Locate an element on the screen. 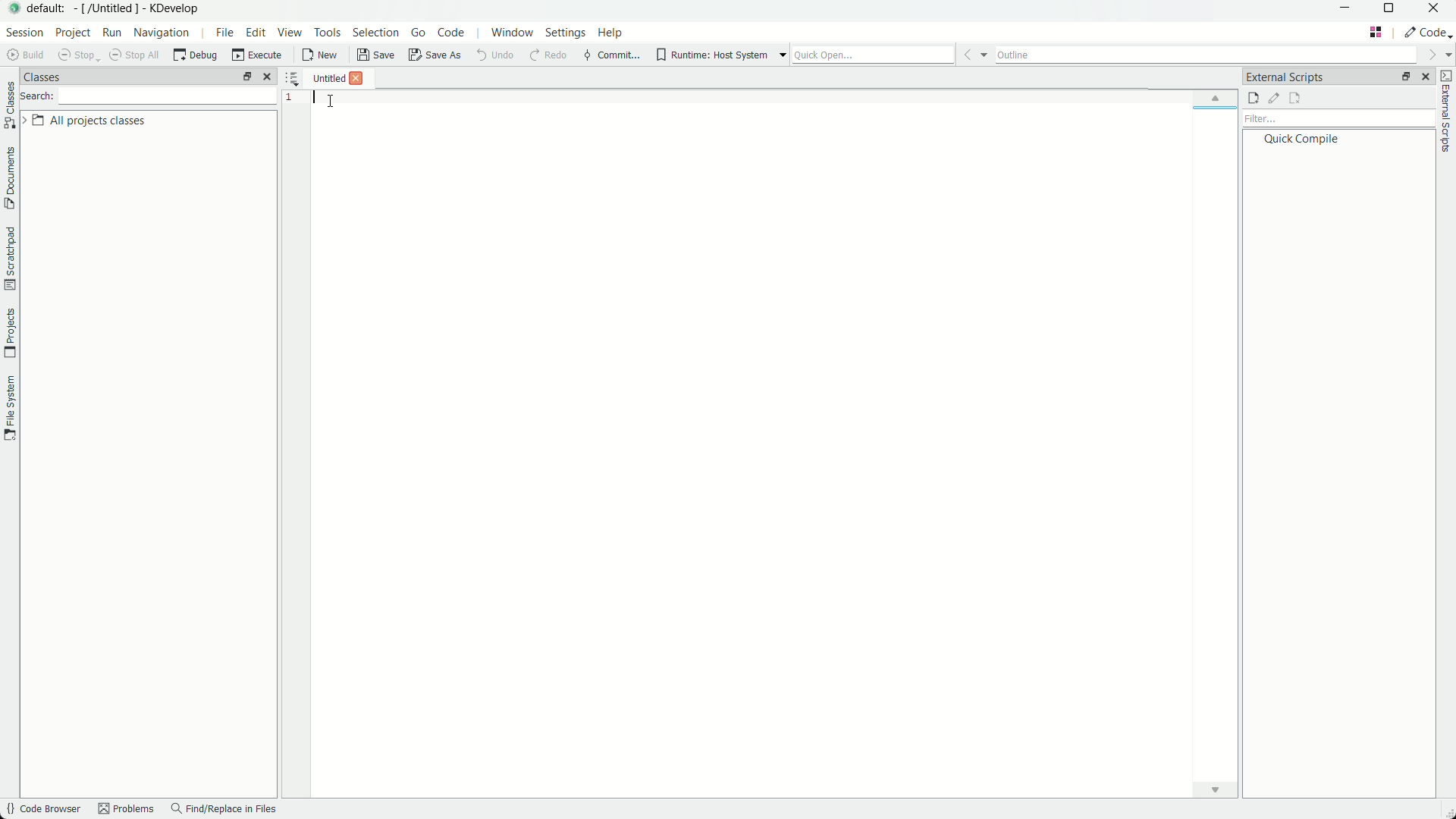  1 is located at coordinates (291, 98).